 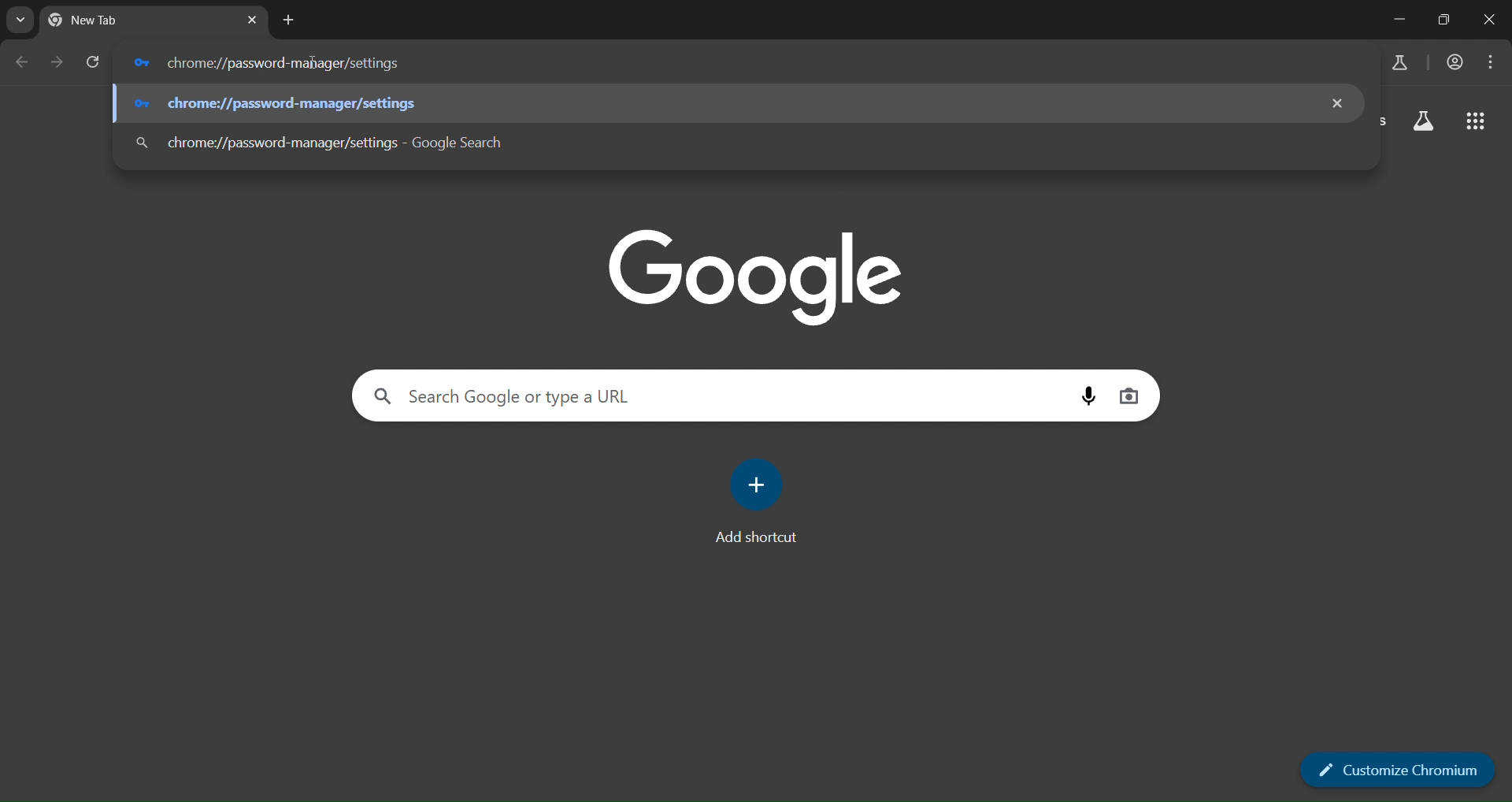 What do you see at coordinates (1443, 20) in the screenshot?
I see `restore down` at bounding box center [1443, 20].